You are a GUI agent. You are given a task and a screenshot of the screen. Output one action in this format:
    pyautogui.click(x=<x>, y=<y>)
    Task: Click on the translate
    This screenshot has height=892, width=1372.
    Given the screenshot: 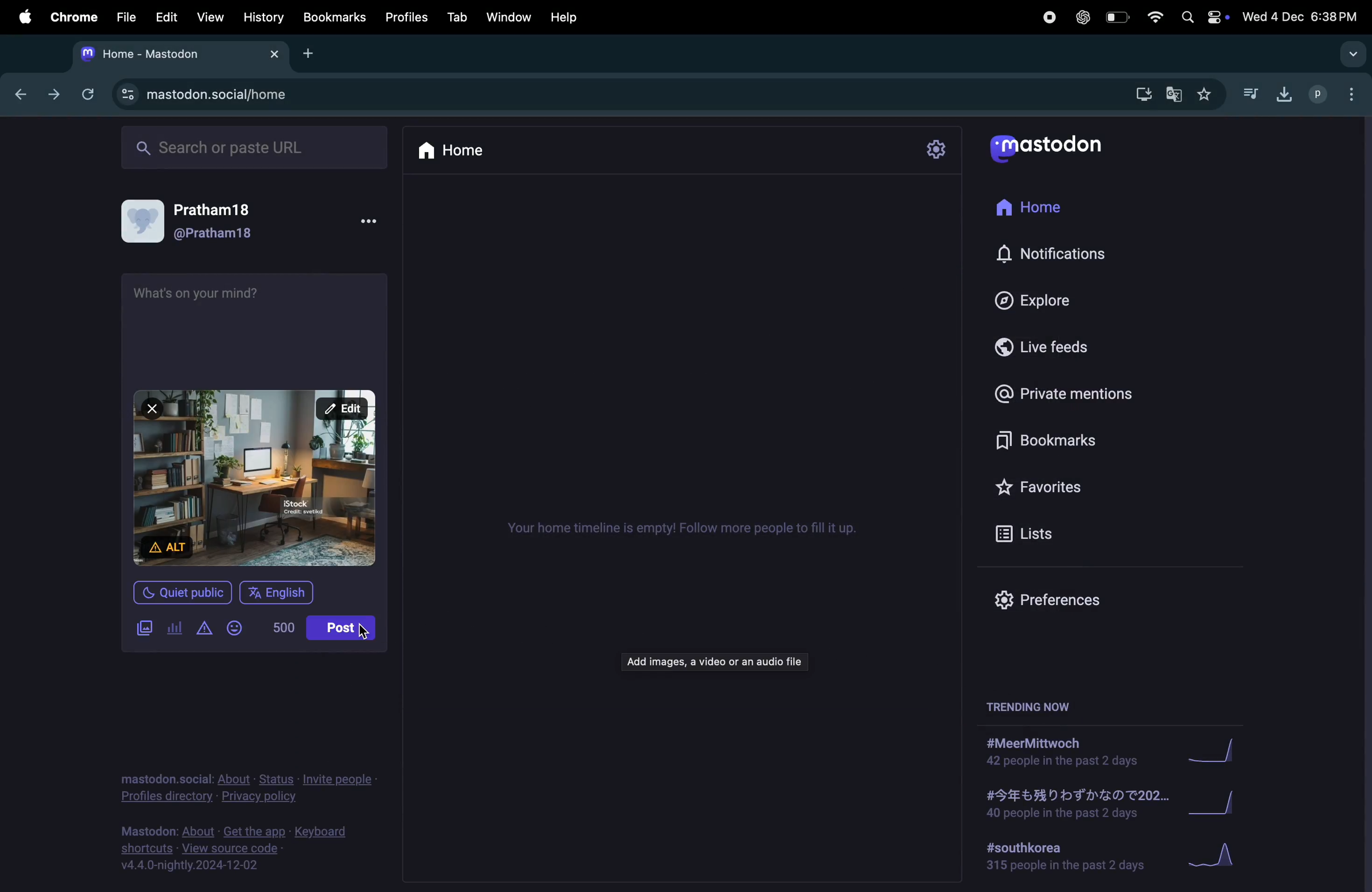 What is the action you would take?
    pyautogui.click(x=1175, y=97)
    